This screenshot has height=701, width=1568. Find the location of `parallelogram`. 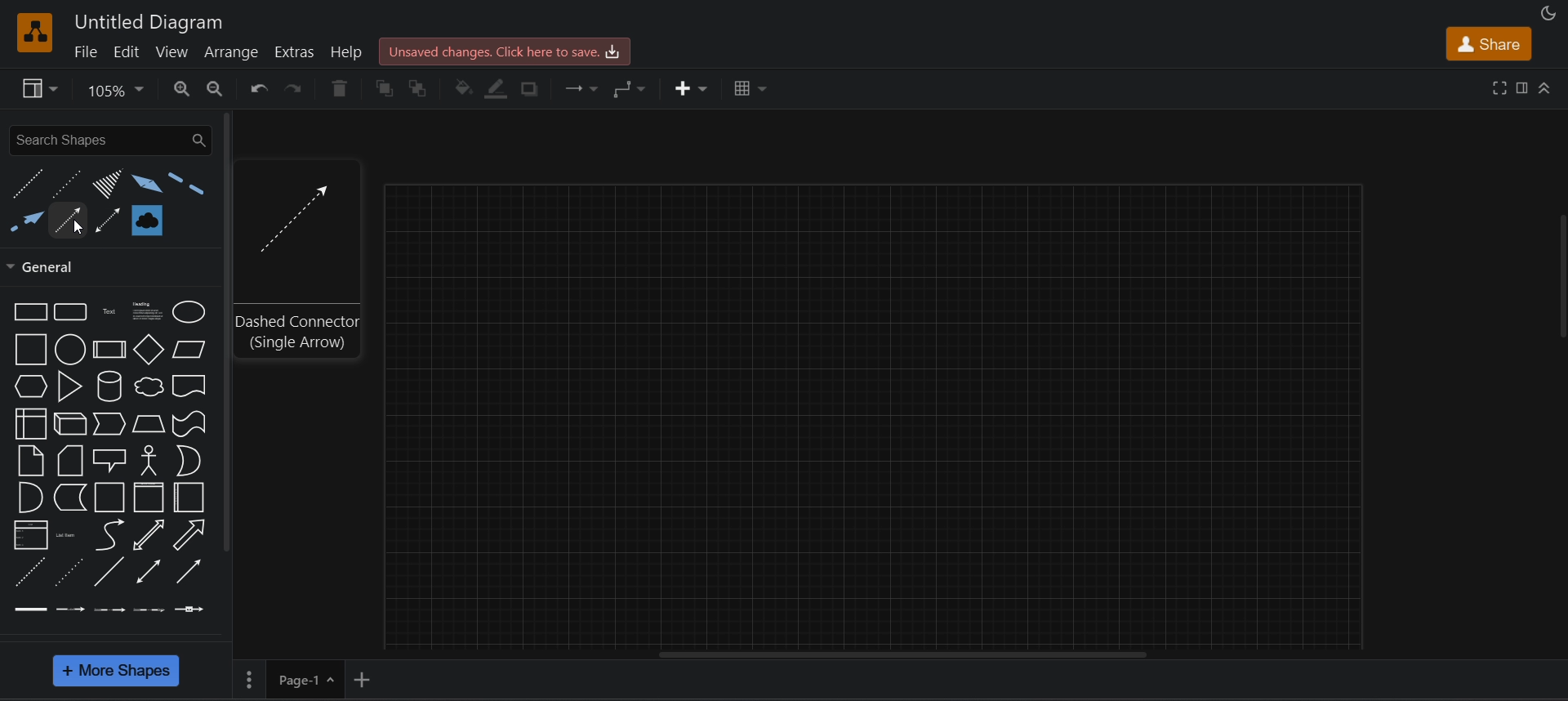

parallelogram is located at coordinates (188, 349).